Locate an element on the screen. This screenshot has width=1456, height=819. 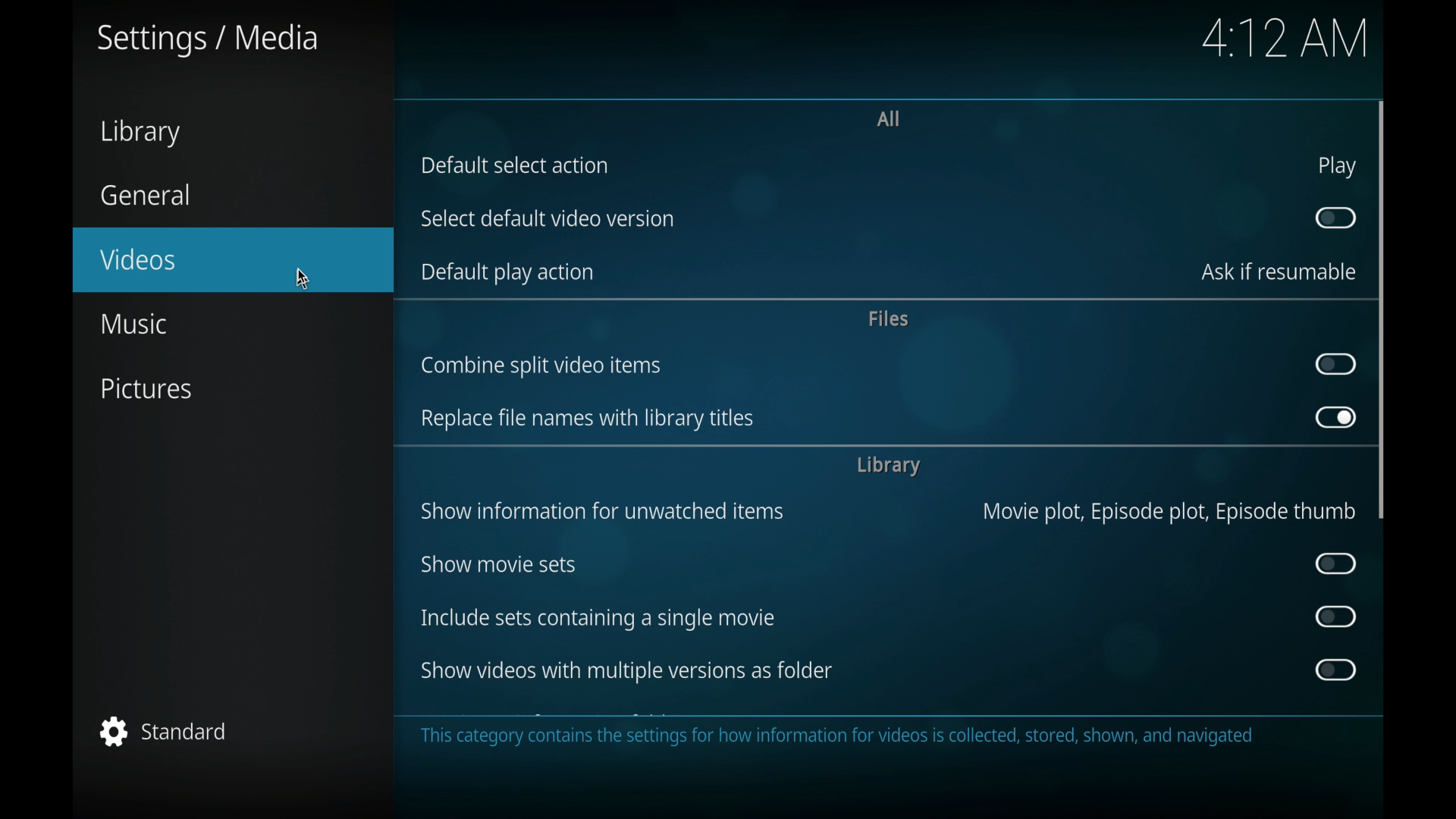
files is located at coordinates (886, 317).